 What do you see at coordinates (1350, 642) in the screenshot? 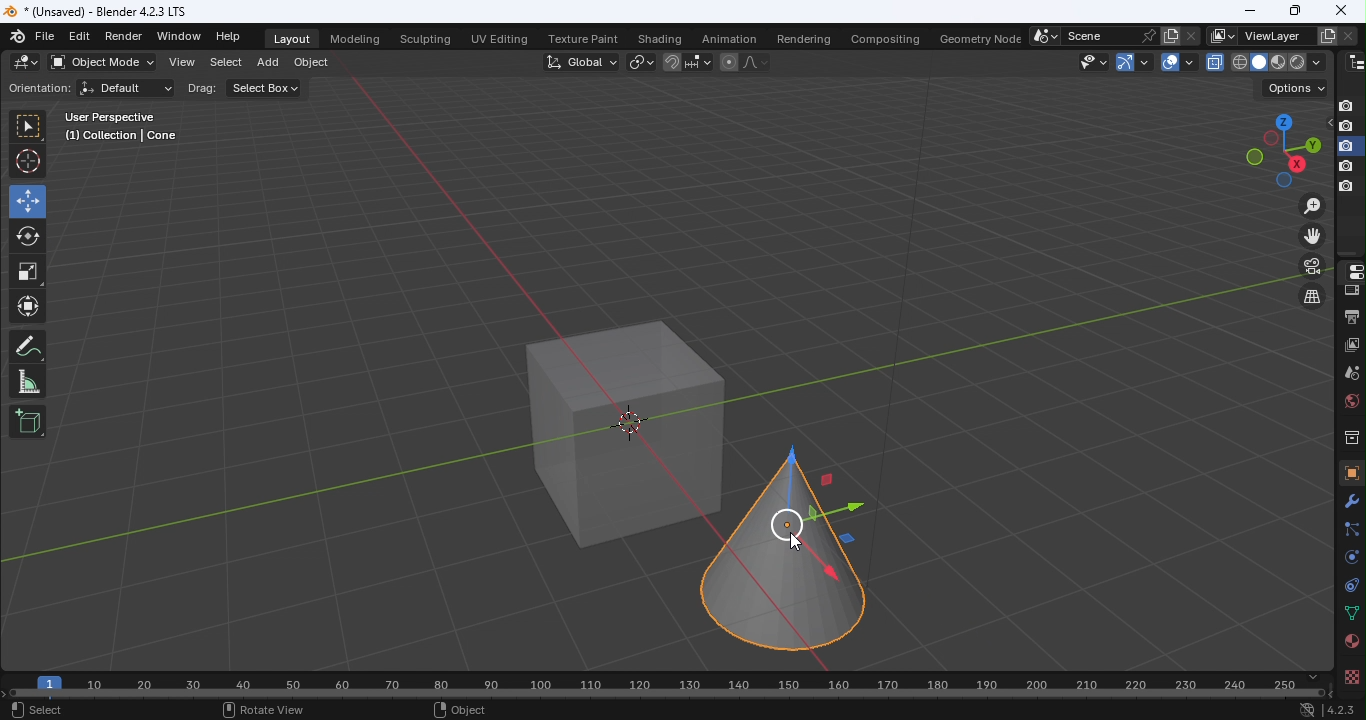
I see `Material` at bounding box center [1350, 642].